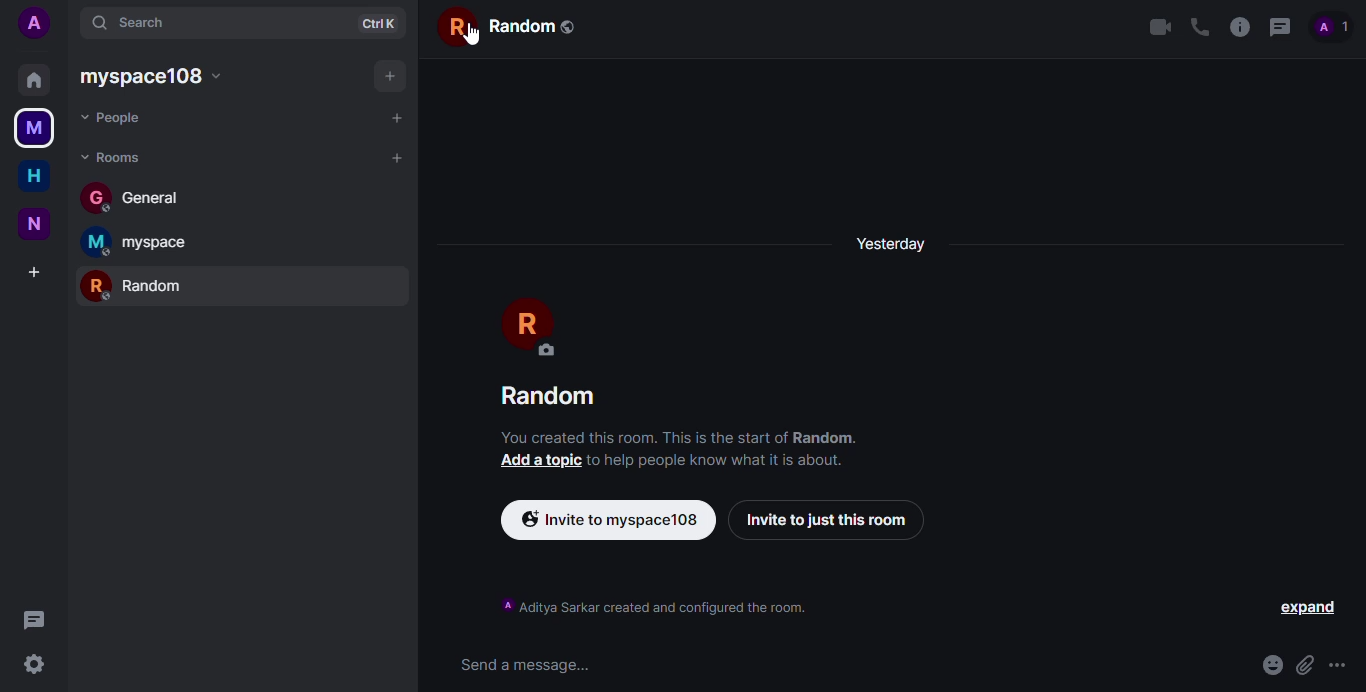 This screenshot has width=1366, height=692. Describe the element at coordinates (138, 22) in the screenshot. I see `search` at that location.